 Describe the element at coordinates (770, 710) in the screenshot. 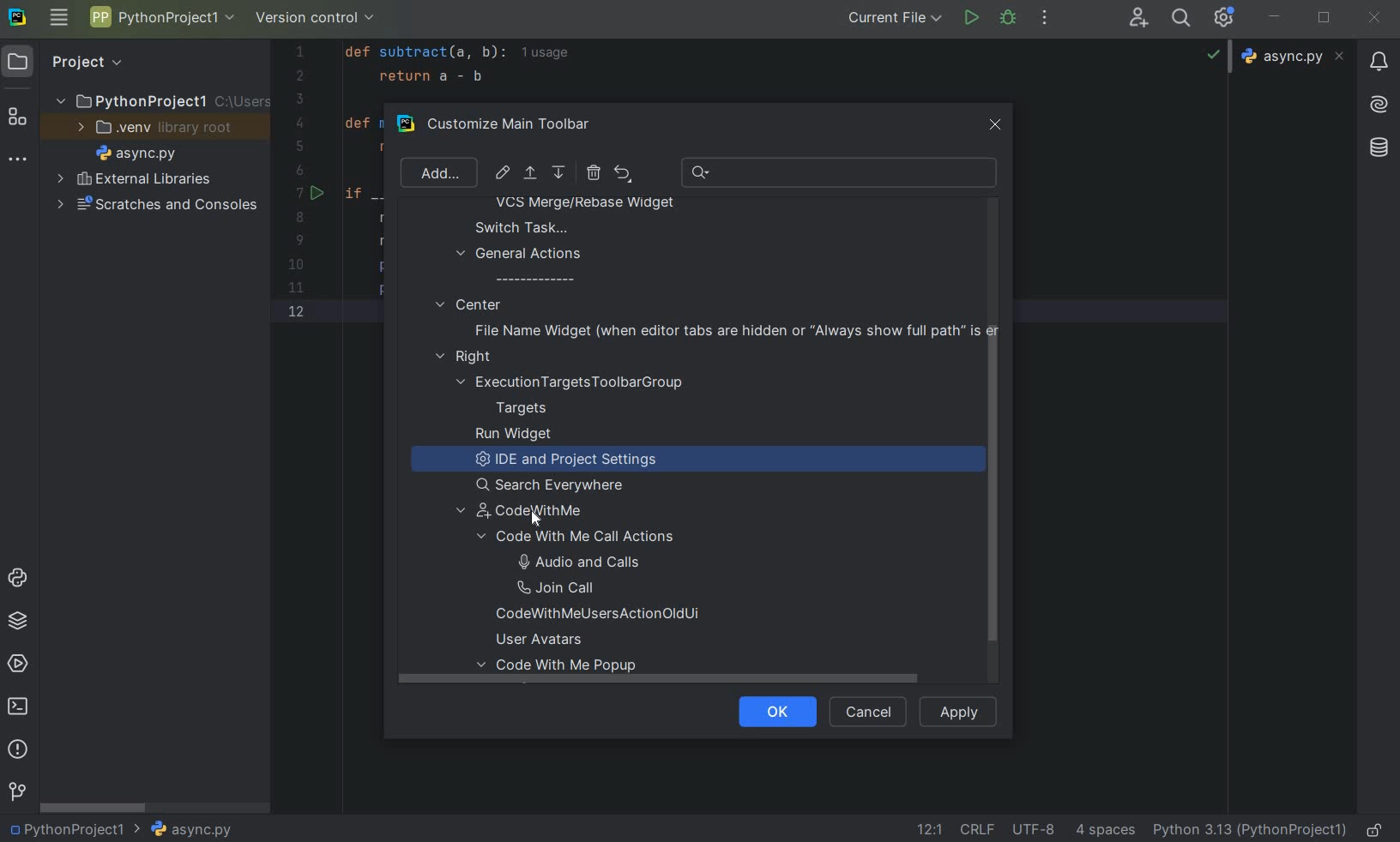

I see `ok` at that location.